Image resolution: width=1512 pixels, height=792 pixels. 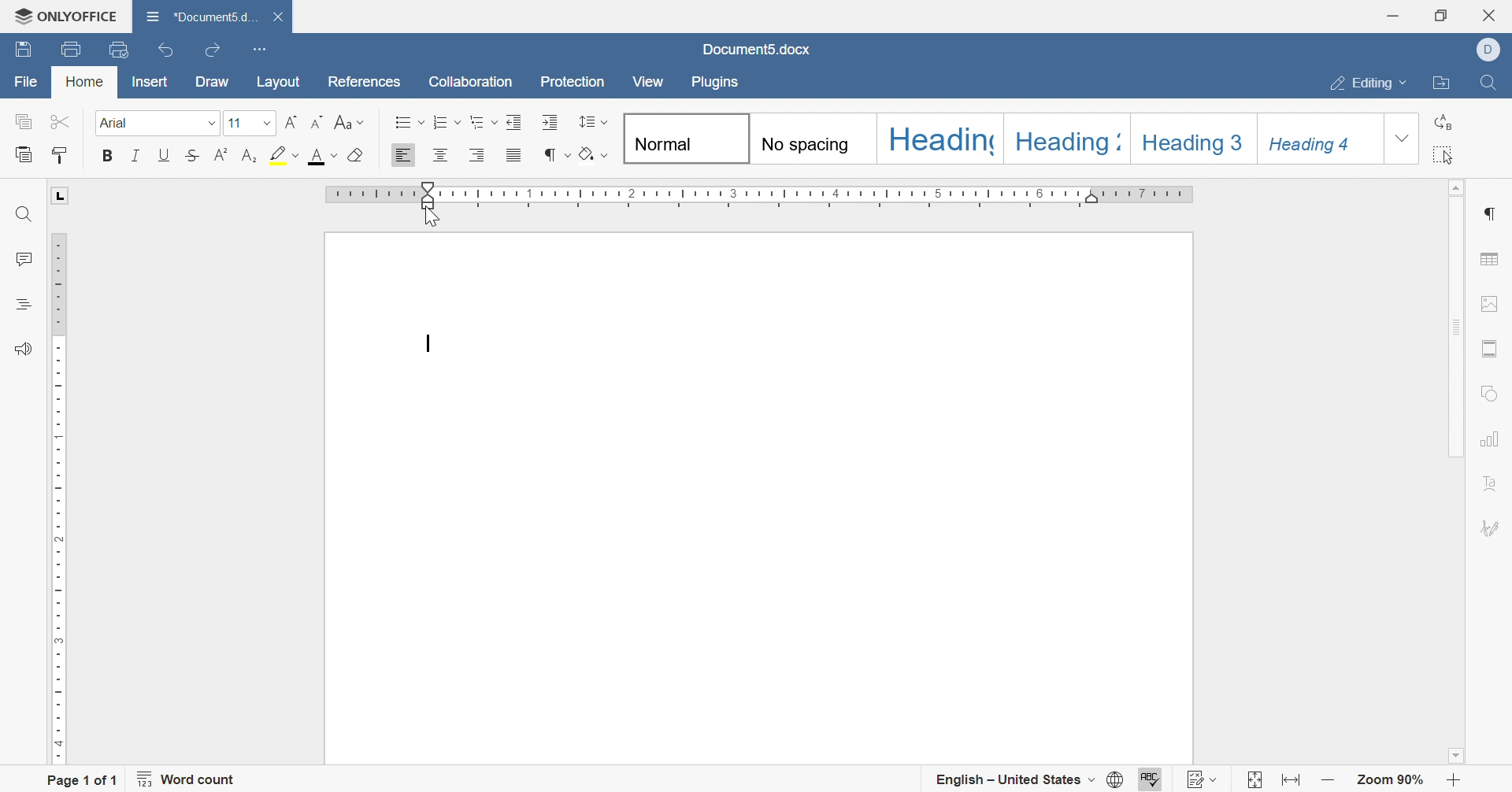 What do you see at coordinates (135, 156) in the screenshot?
I see `italic` at bounding box center [135, 156].